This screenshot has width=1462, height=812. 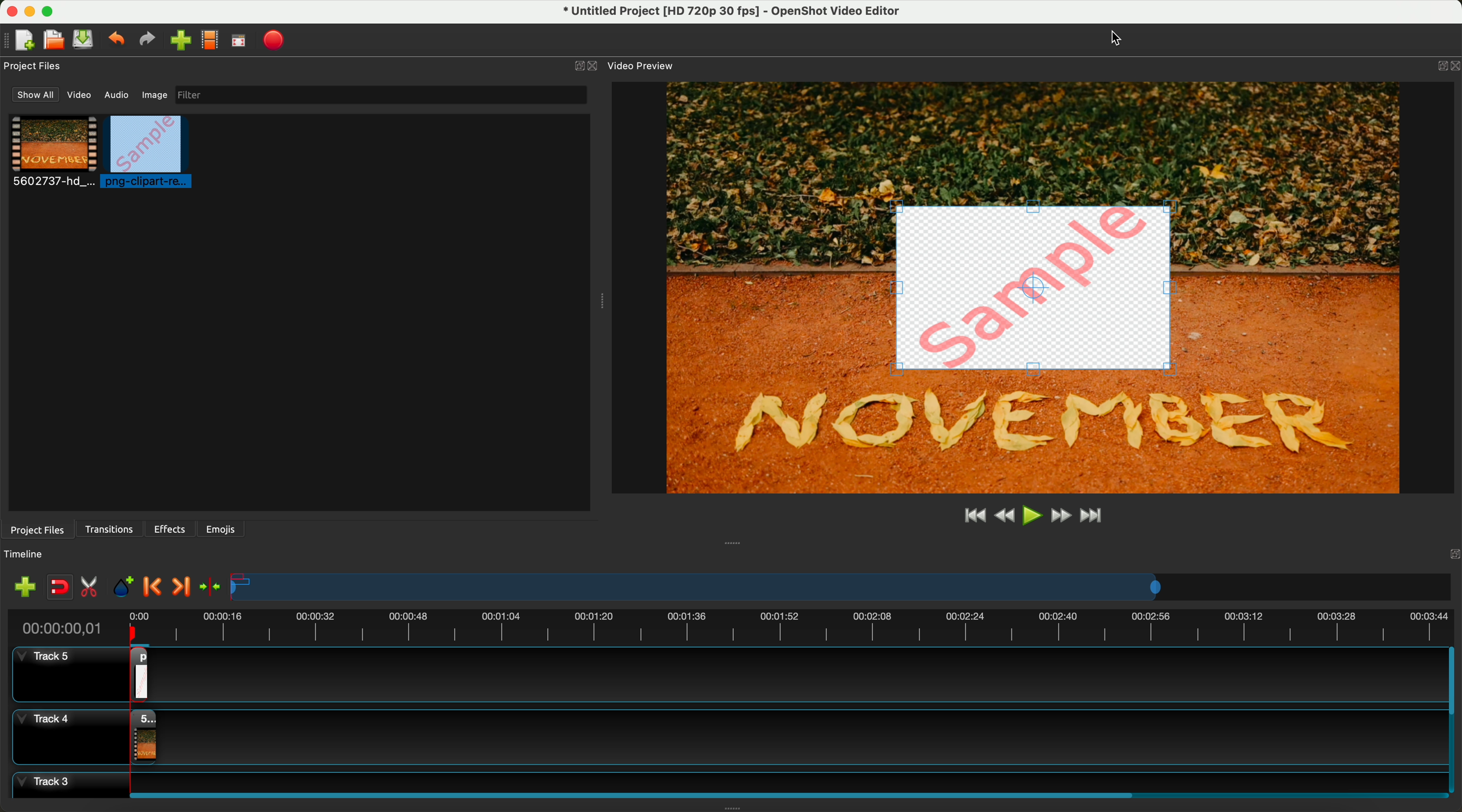 What do you see at coordinates (118, 41) in the screenshot?
I see `undo` at bounding box center [118, 41].